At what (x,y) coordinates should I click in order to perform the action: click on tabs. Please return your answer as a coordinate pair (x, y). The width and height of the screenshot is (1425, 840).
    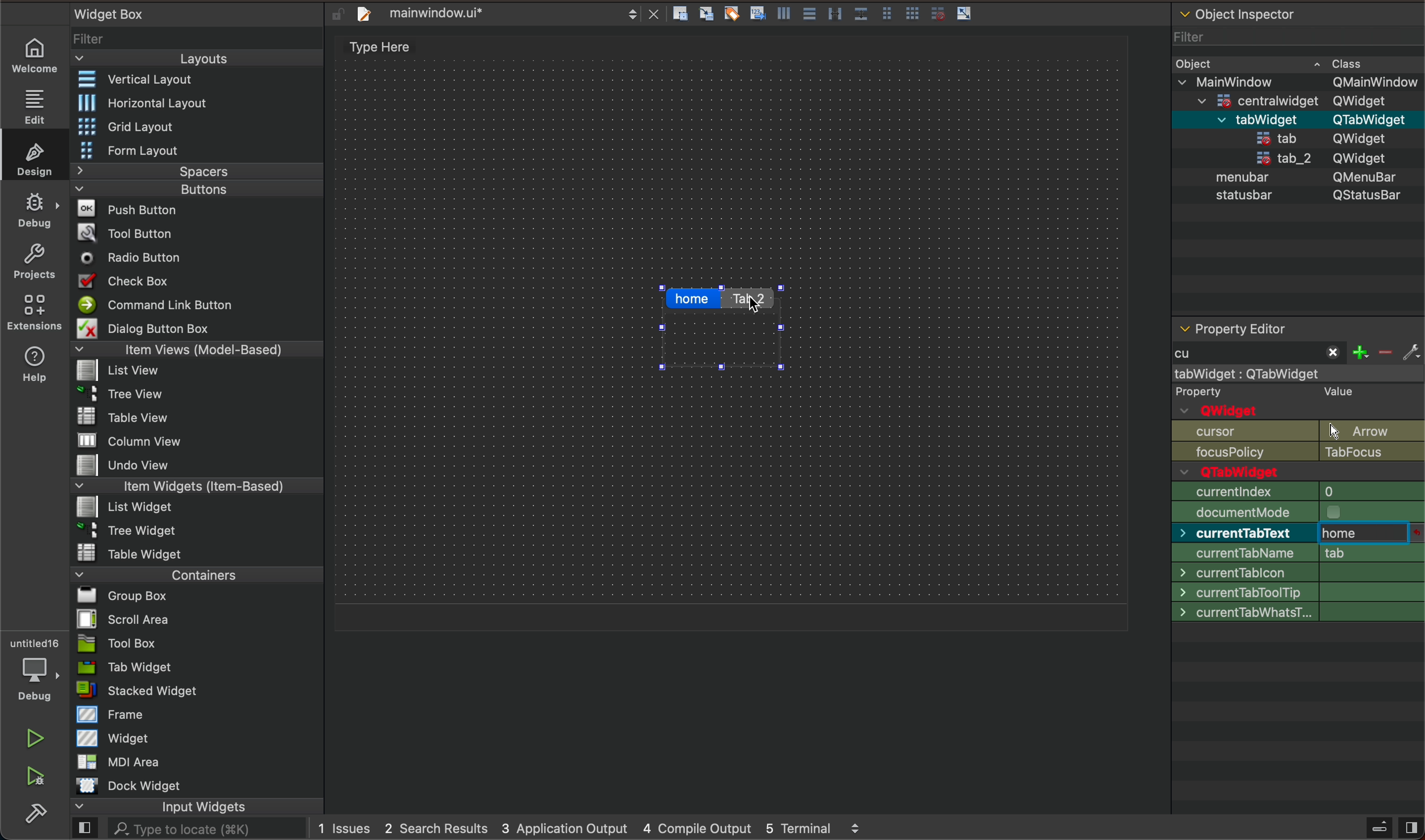
    Looking at the image, I should click on (724, 327).